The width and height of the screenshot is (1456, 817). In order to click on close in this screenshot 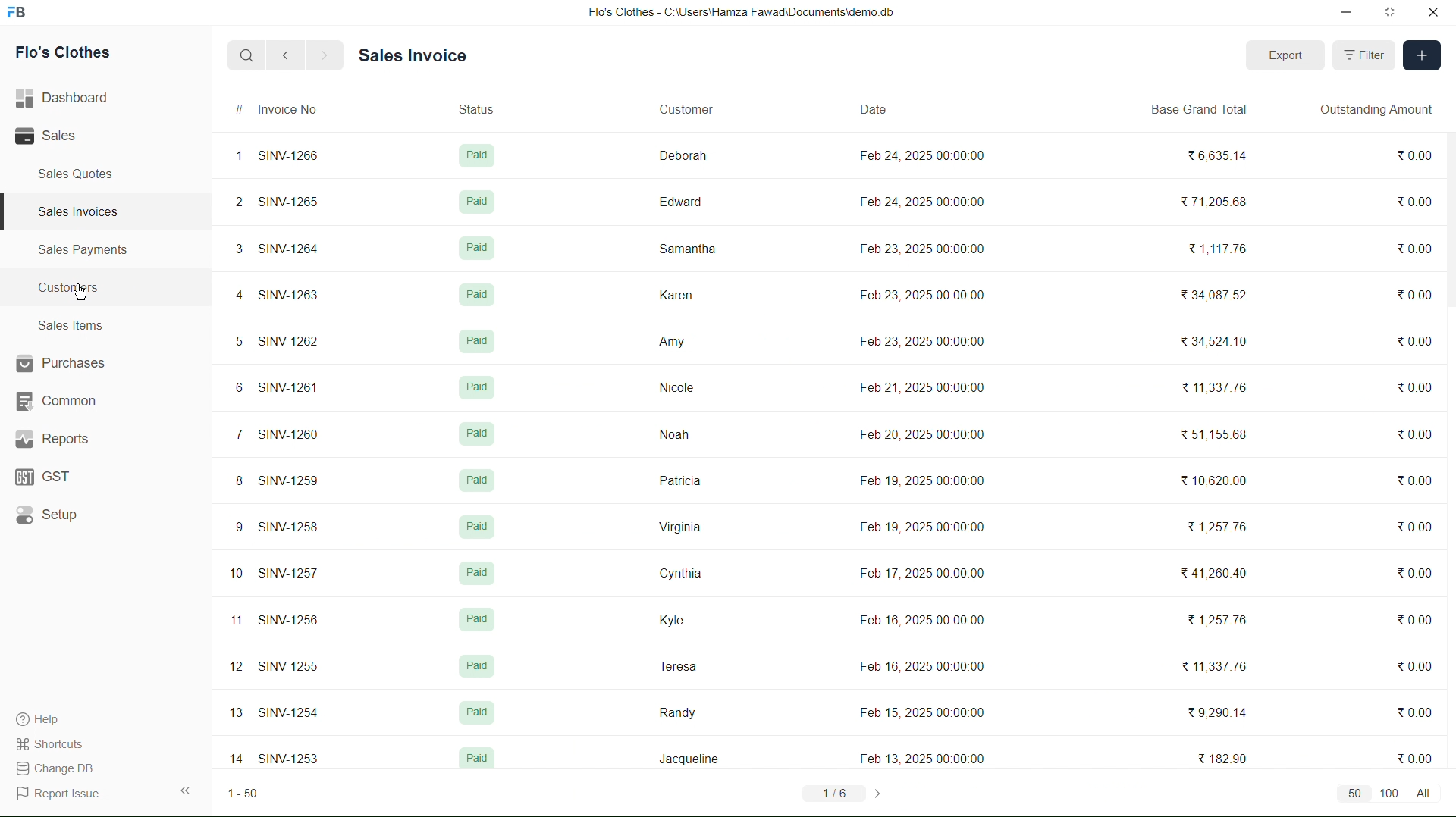, I will do `click(1429, 13)`.